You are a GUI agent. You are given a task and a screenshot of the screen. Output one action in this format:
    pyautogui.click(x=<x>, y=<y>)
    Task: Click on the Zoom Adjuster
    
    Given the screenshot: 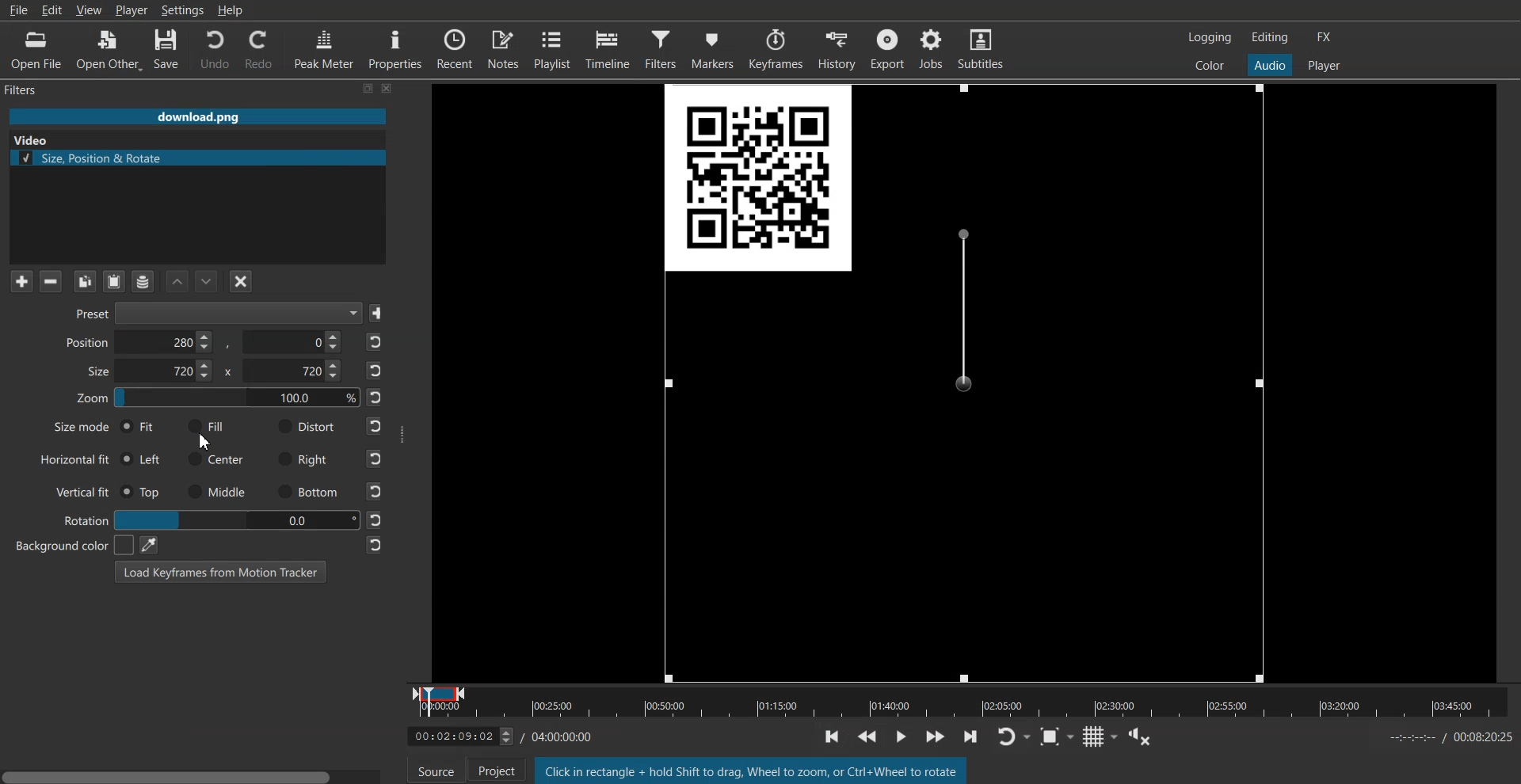 What is the action you would take?
    pyautogui.click(x=217, y=401)
    